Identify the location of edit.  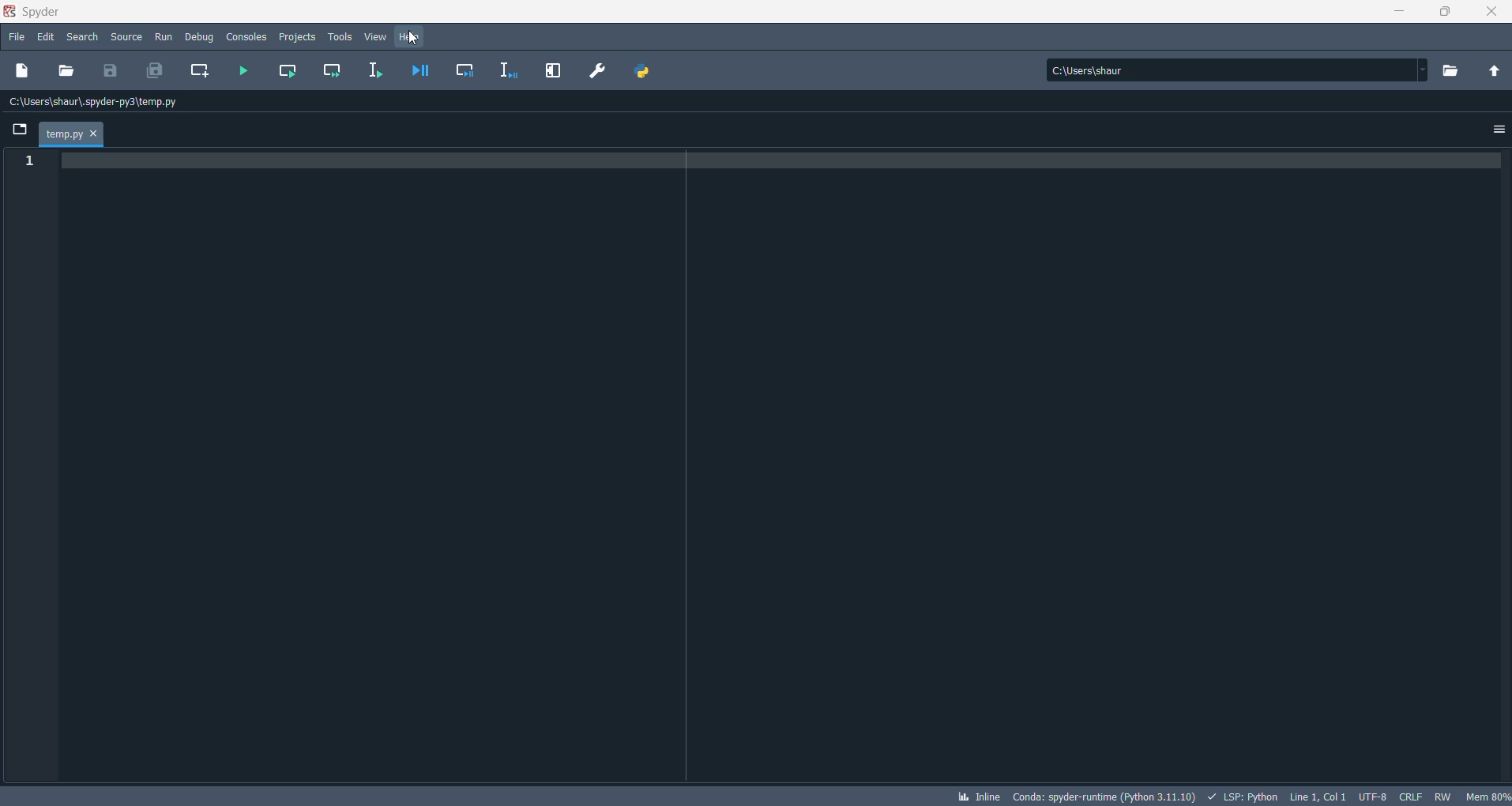
(47, 37).